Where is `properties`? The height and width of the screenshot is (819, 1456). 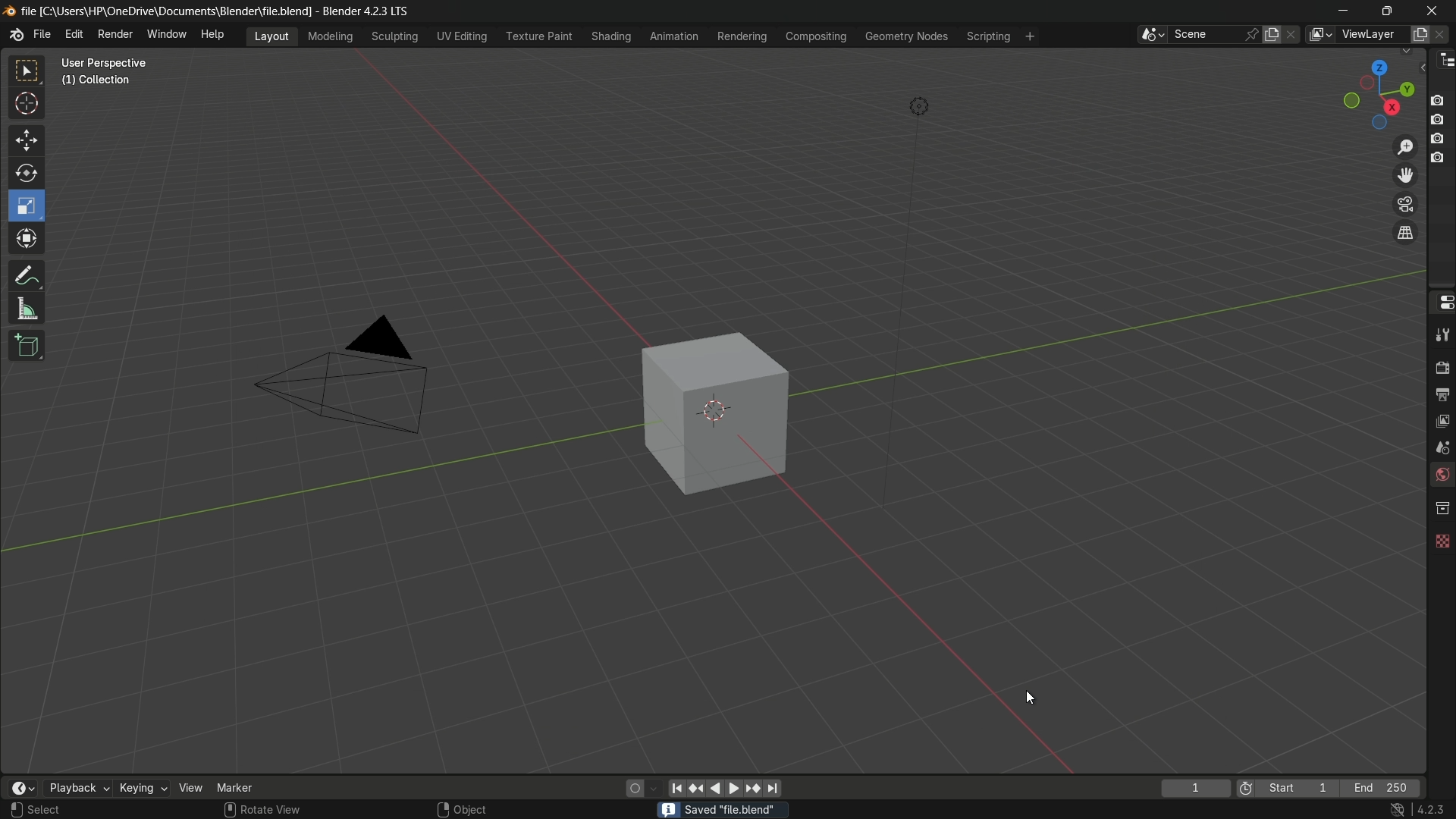
properties is located at coordinates (1441, 301).